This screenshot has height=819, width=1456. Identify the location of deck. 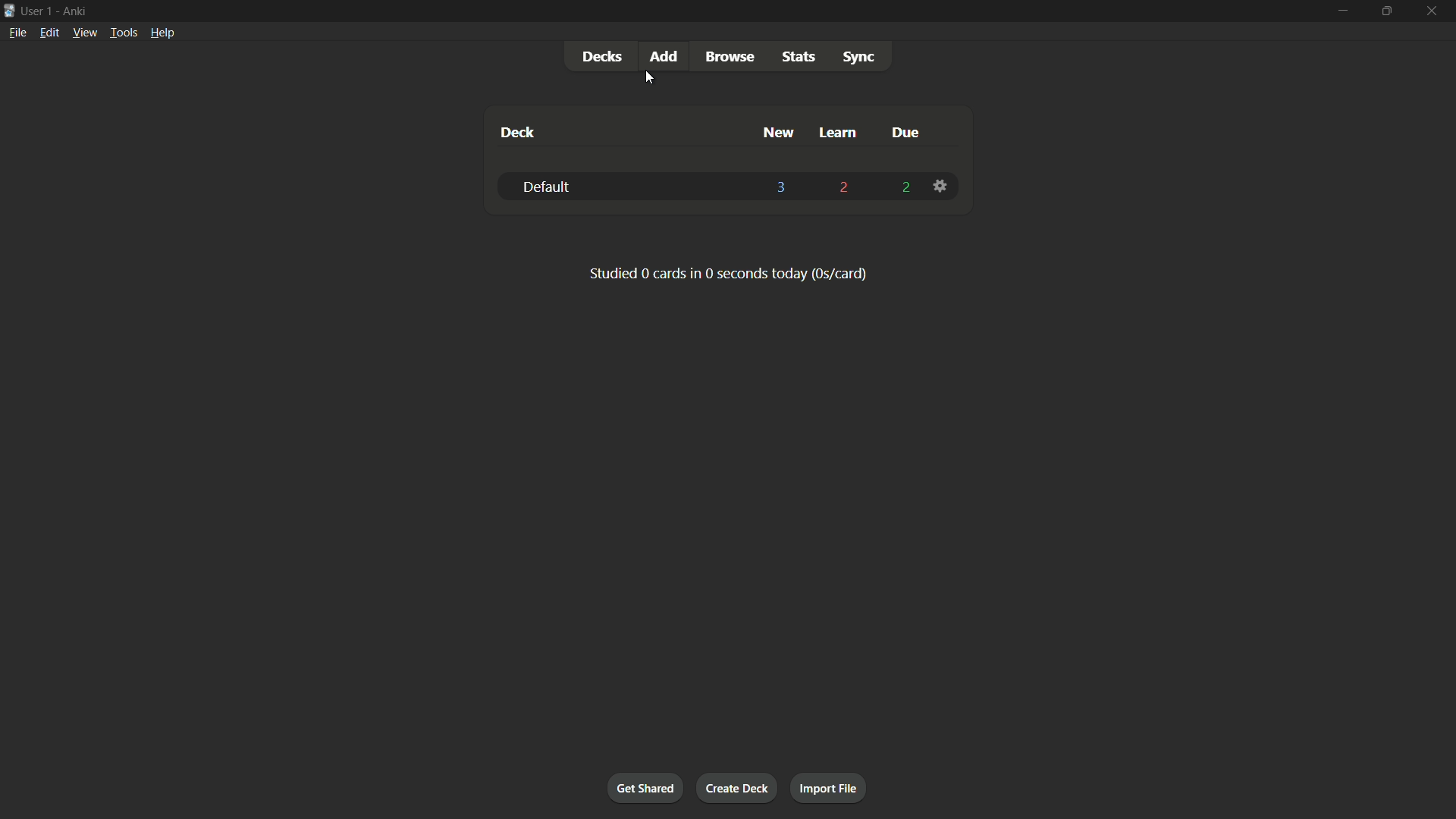
(517, 134).